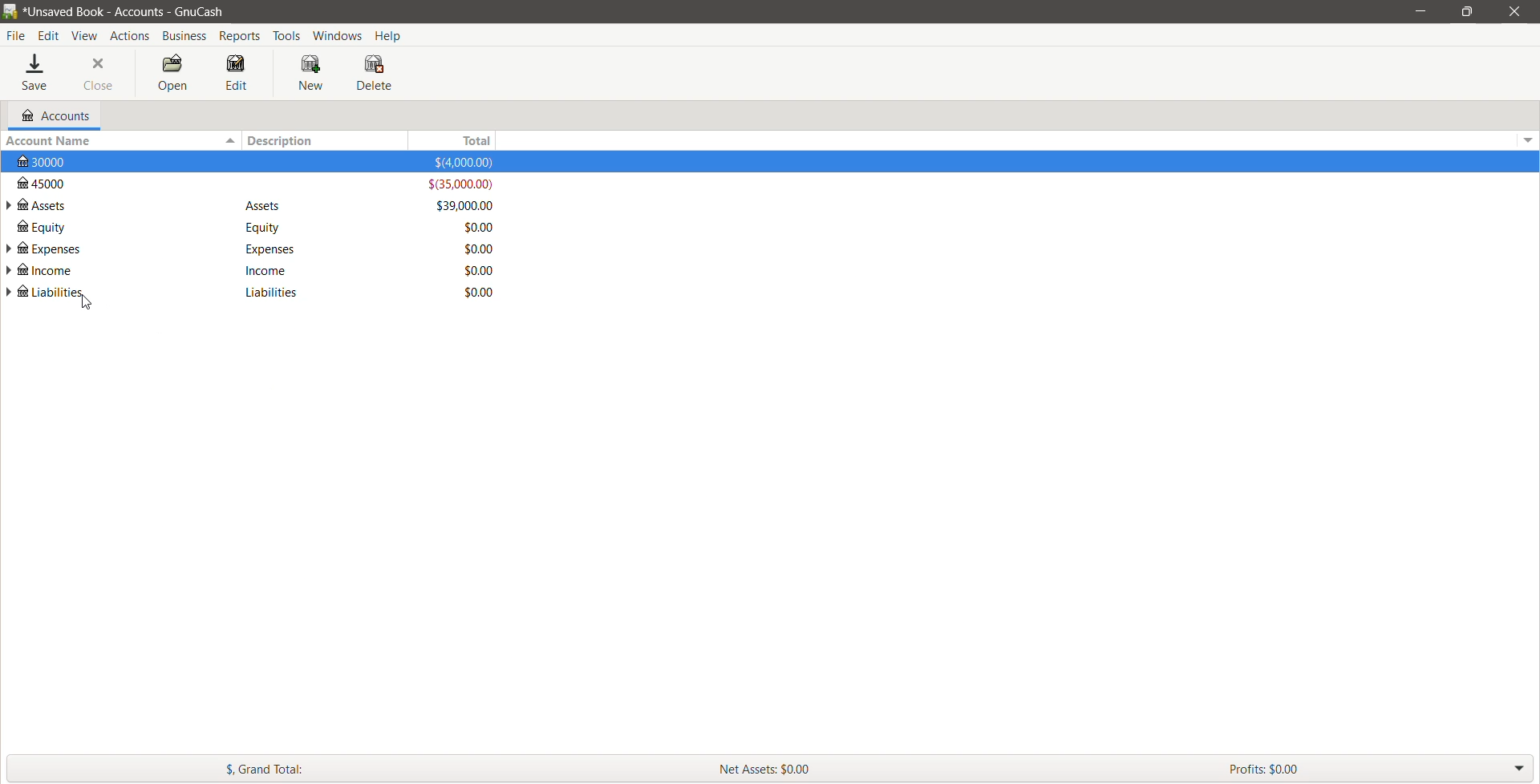 Image resolution: width=1540 pixels, height=784 pixels. Describe the element at coordinates (128, 35) in the screenshot. I see `Accounts` at that location.